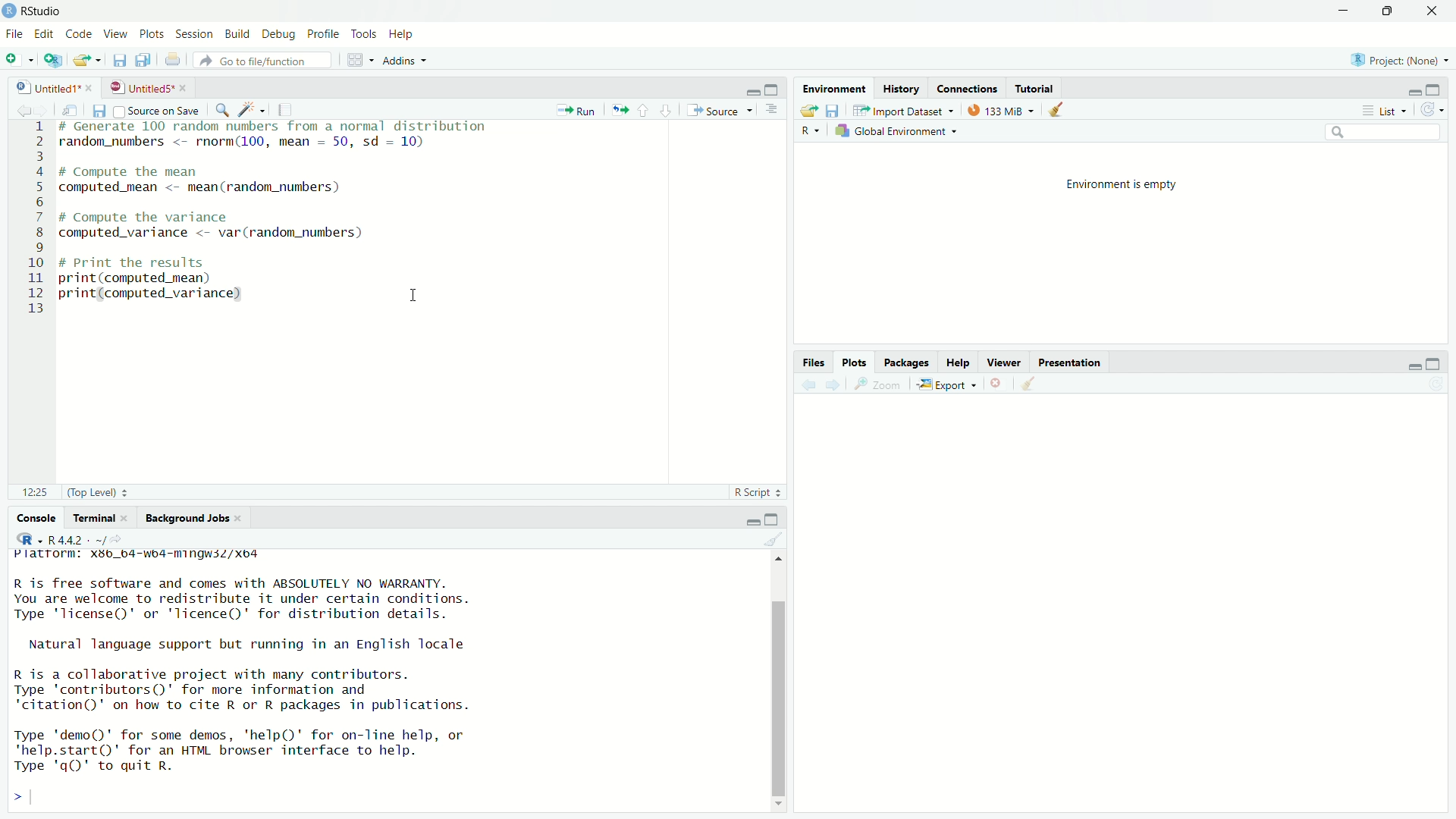 The image size is (1456, 819). Describe the element at coordinates (1062, 111) in the screenshot. I see `clear objects from the workspace` at that location.